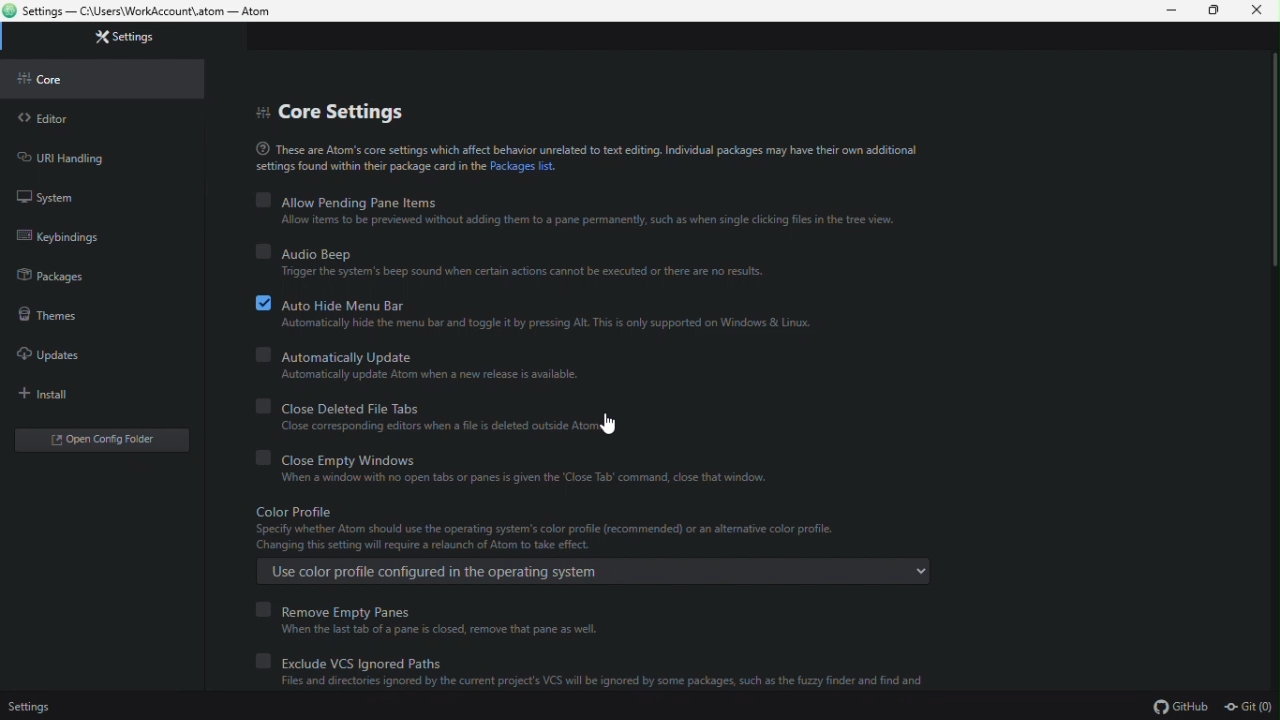 The height and width of the screenshot is (720, 1280). Describe the element at coordinates (548, 528) in the screenshot. I see `Color profile Specify whether Atom should use the operating system's color profile (recommended) or an alternative color profile. Changing this setting will require a relaunch of Atom to take effect.` at that location.